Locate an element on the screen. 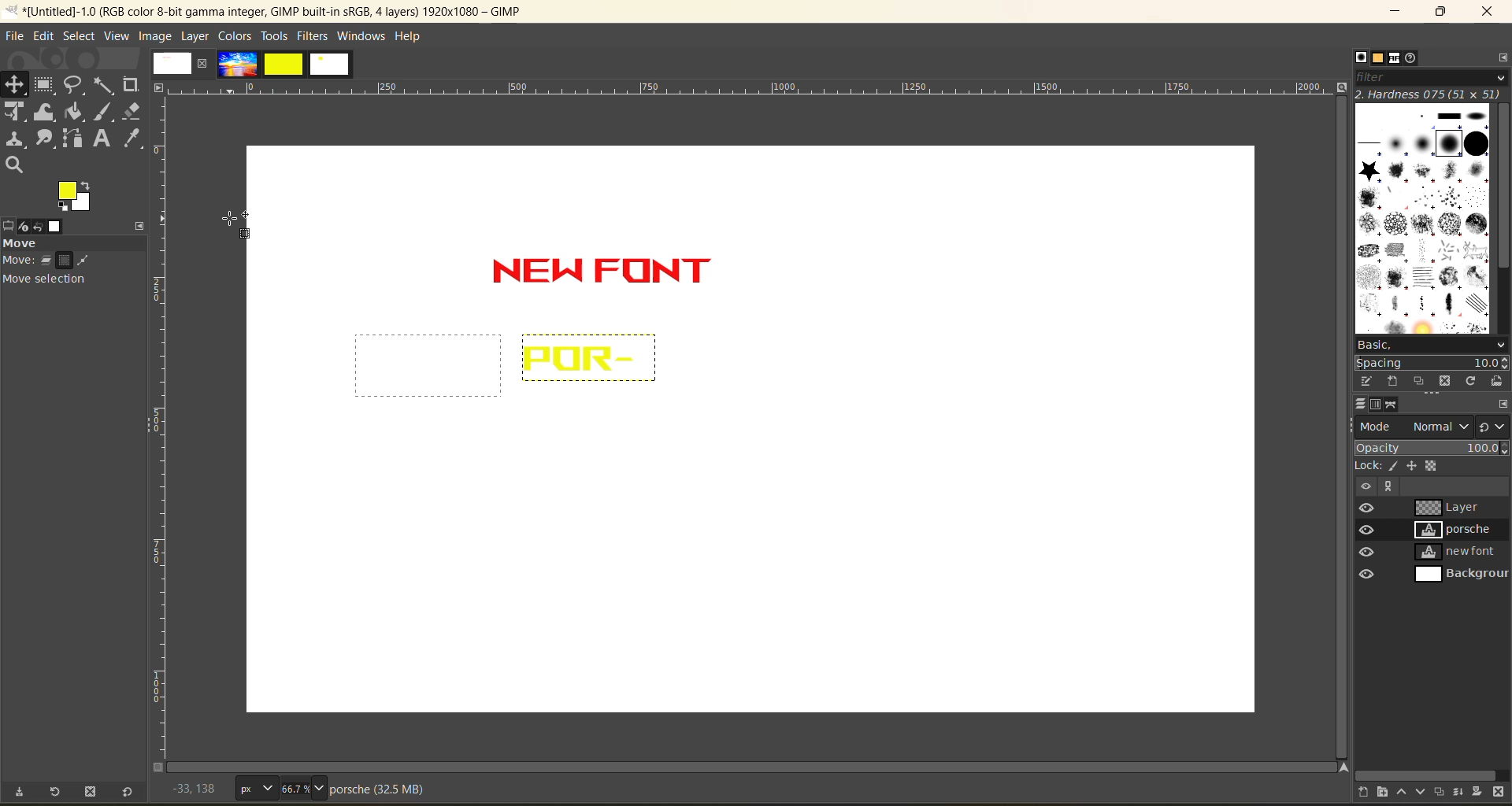 This screenshot has width=1512, height=806. close is located at coordinates (1488, 13).